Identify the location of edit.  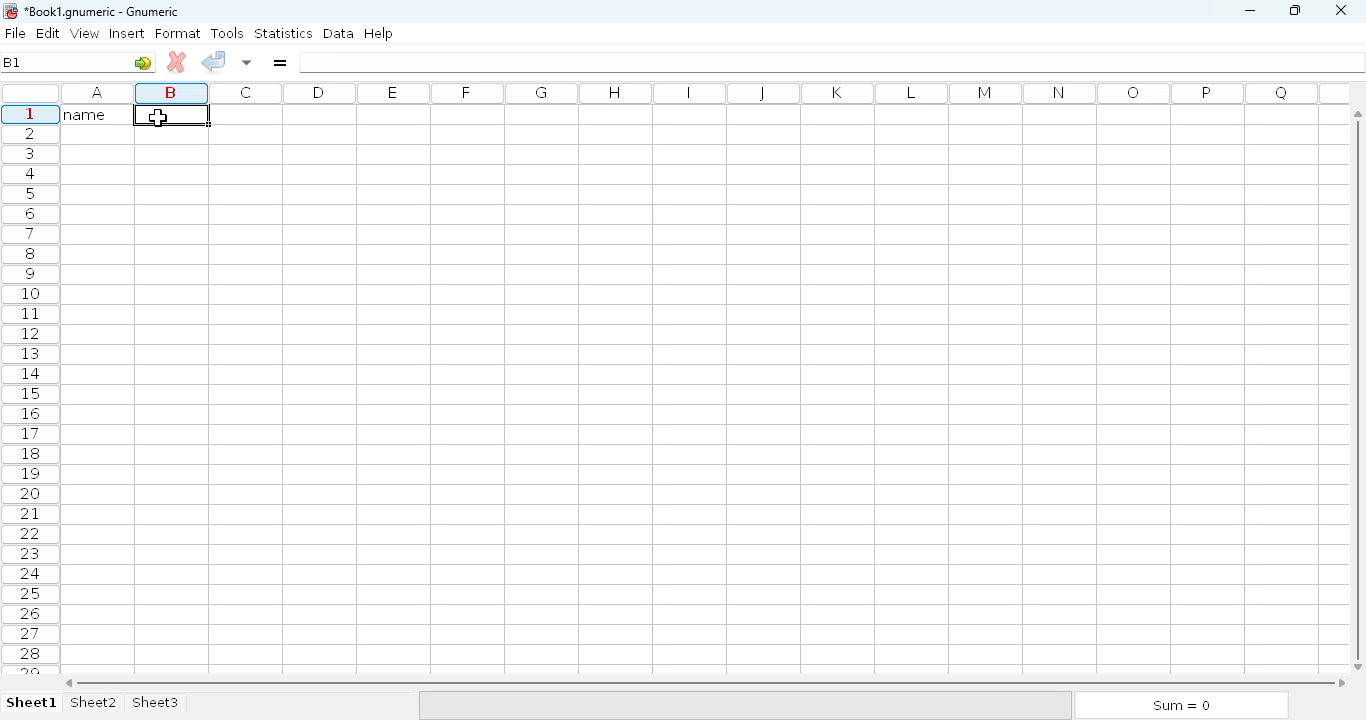
(49, 33).